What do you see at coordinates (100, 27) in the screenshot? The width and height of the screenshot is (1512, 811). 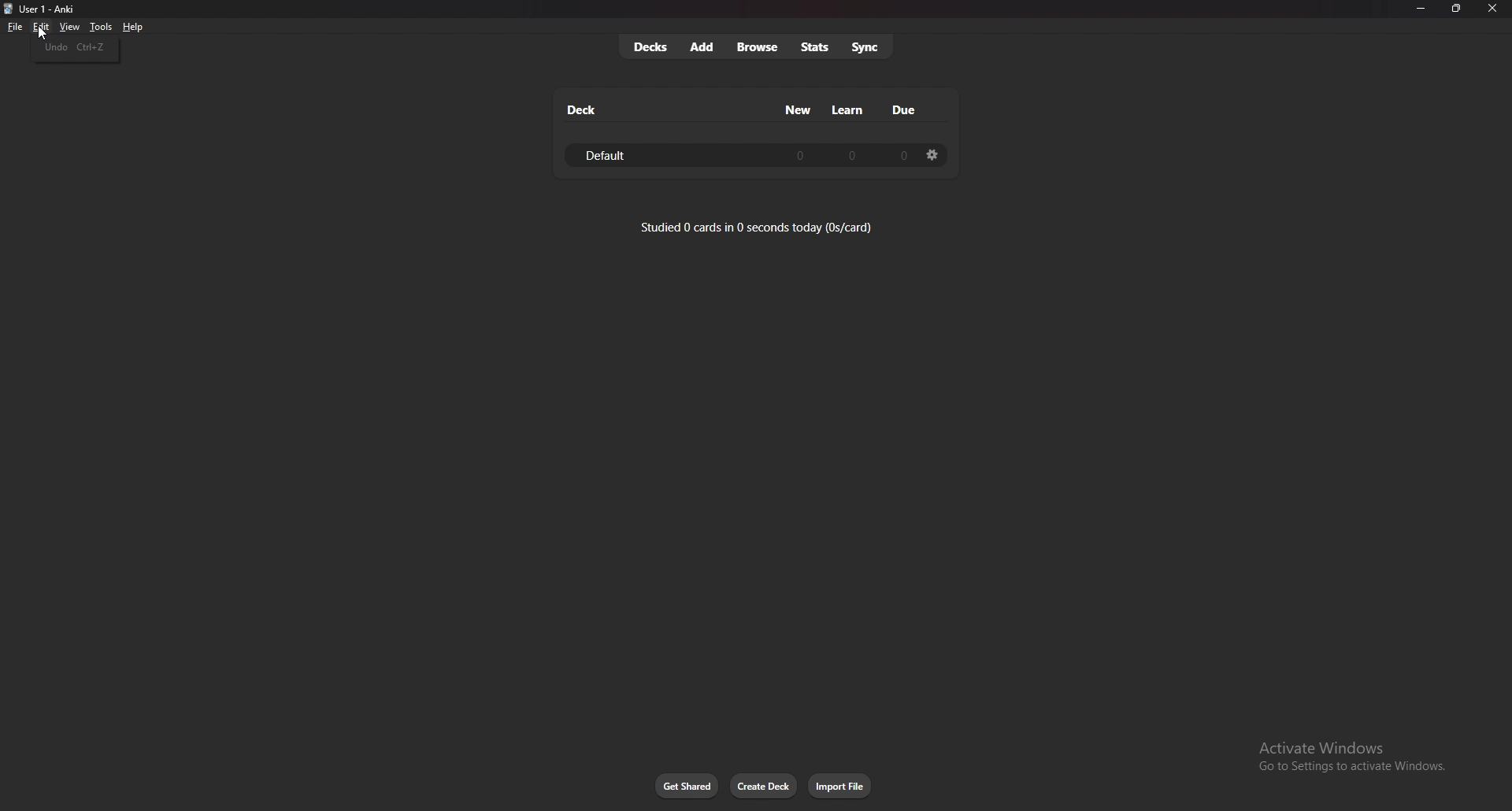 I see `tools` at bounding box center [100, 27].